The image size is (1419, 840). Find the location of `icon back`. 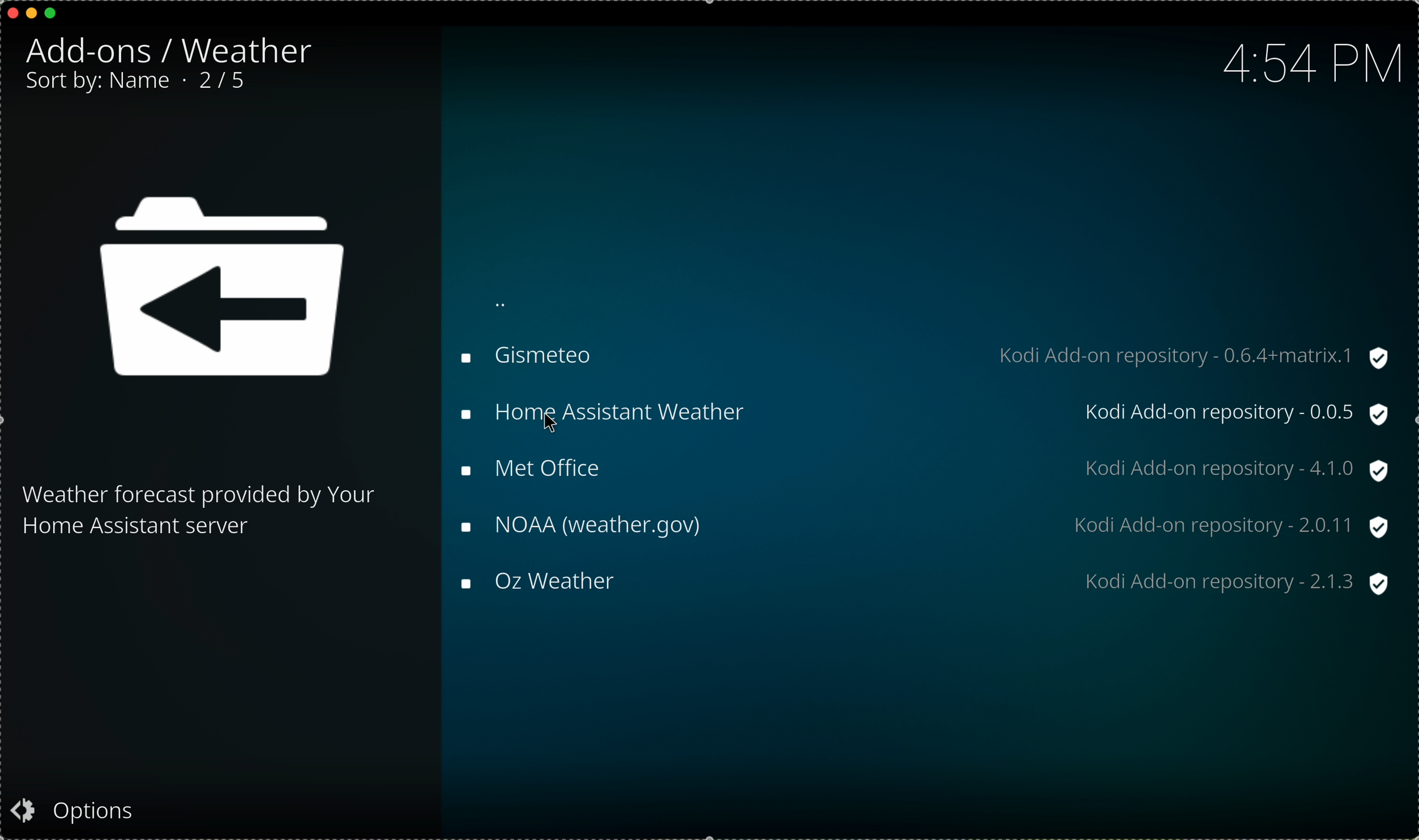

icon back is located at coordinates (224, 282).